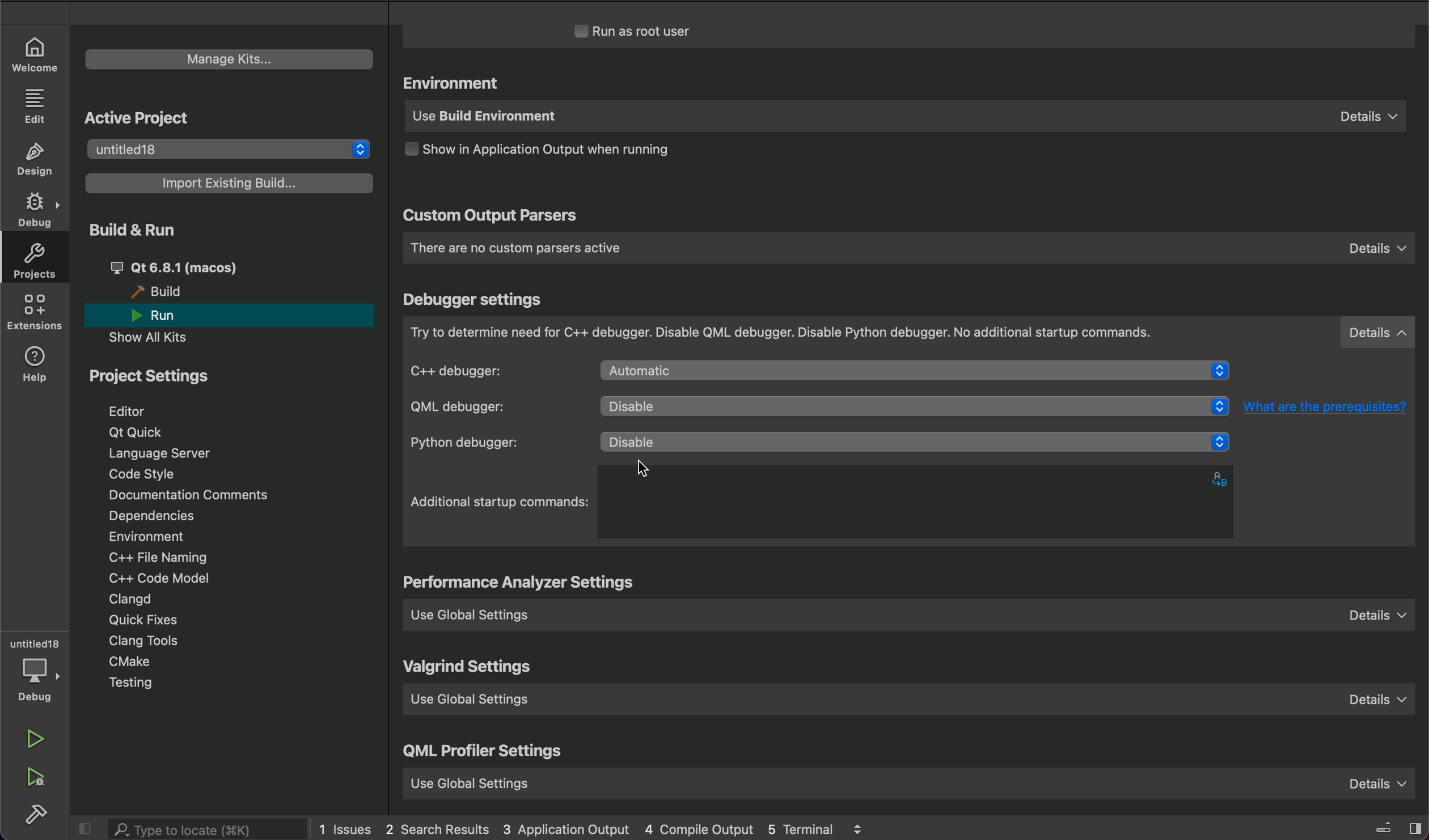 The image size is (1429, 840). Describe the element at coordinates (902, 118) in the screenshot. I see `use build ` at that location.